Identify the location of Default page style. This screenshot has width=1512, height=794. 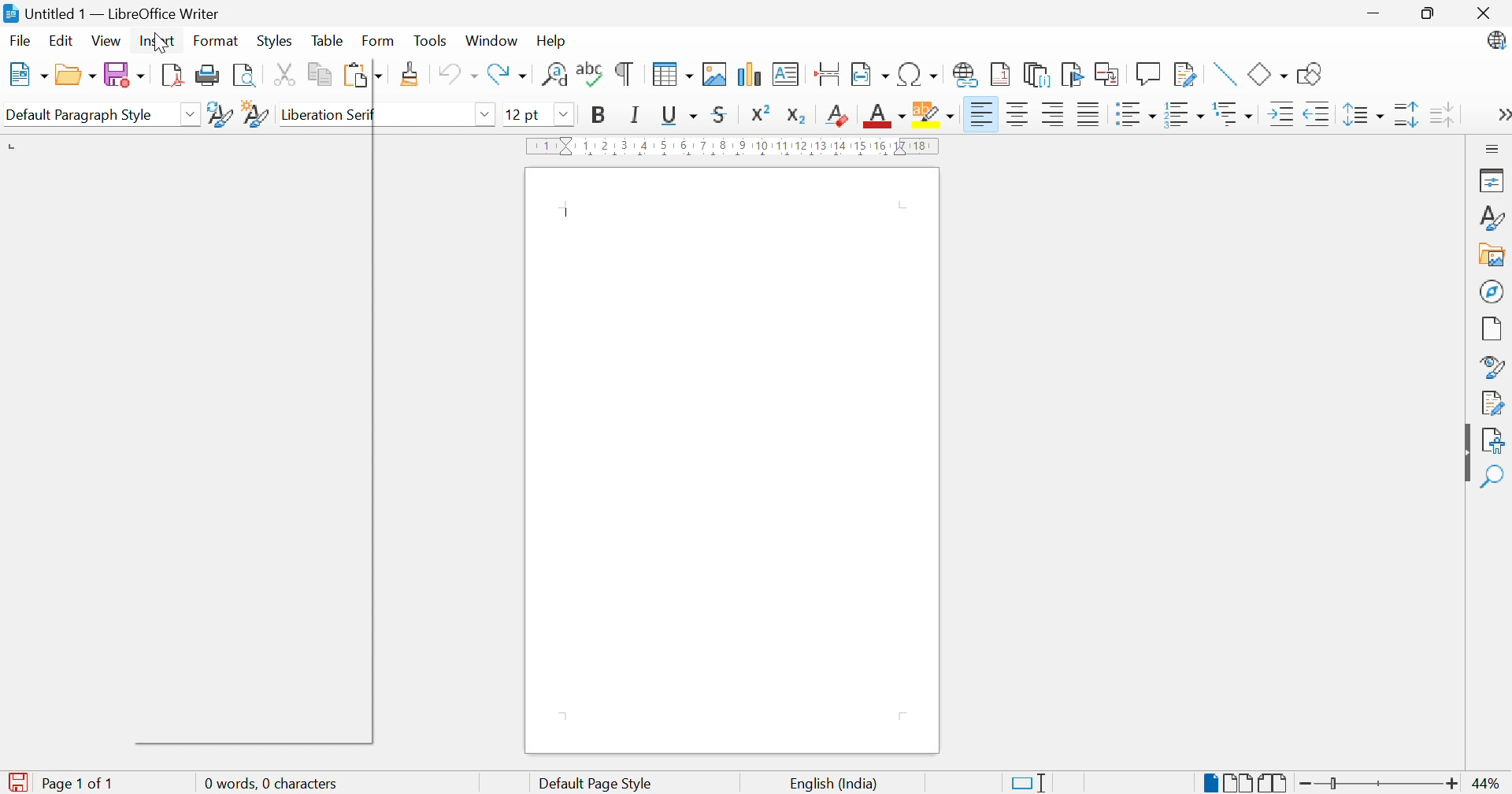
(598, 784).